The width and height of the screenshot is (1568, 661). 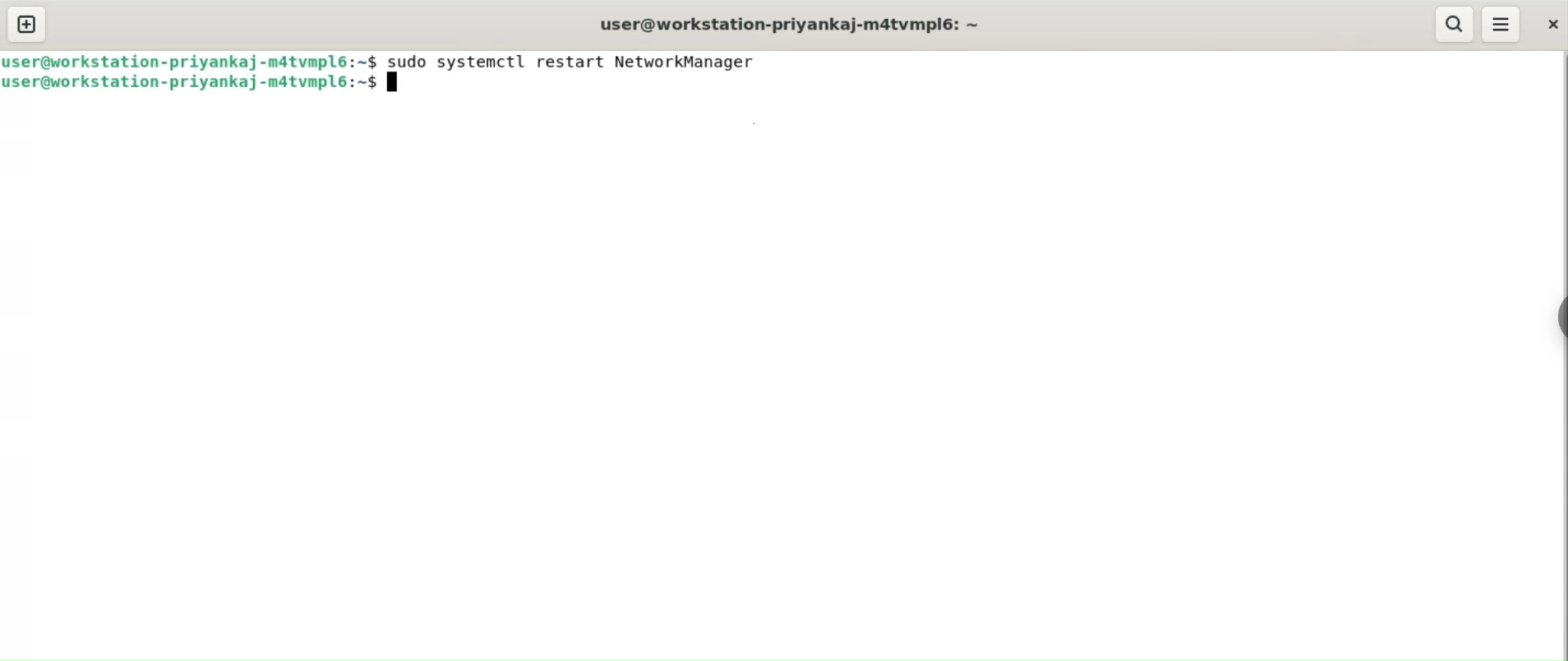 What do you see at coordinates (1552, 25) in the screenshot?
I see `close` at bounding box center [1552, 25].